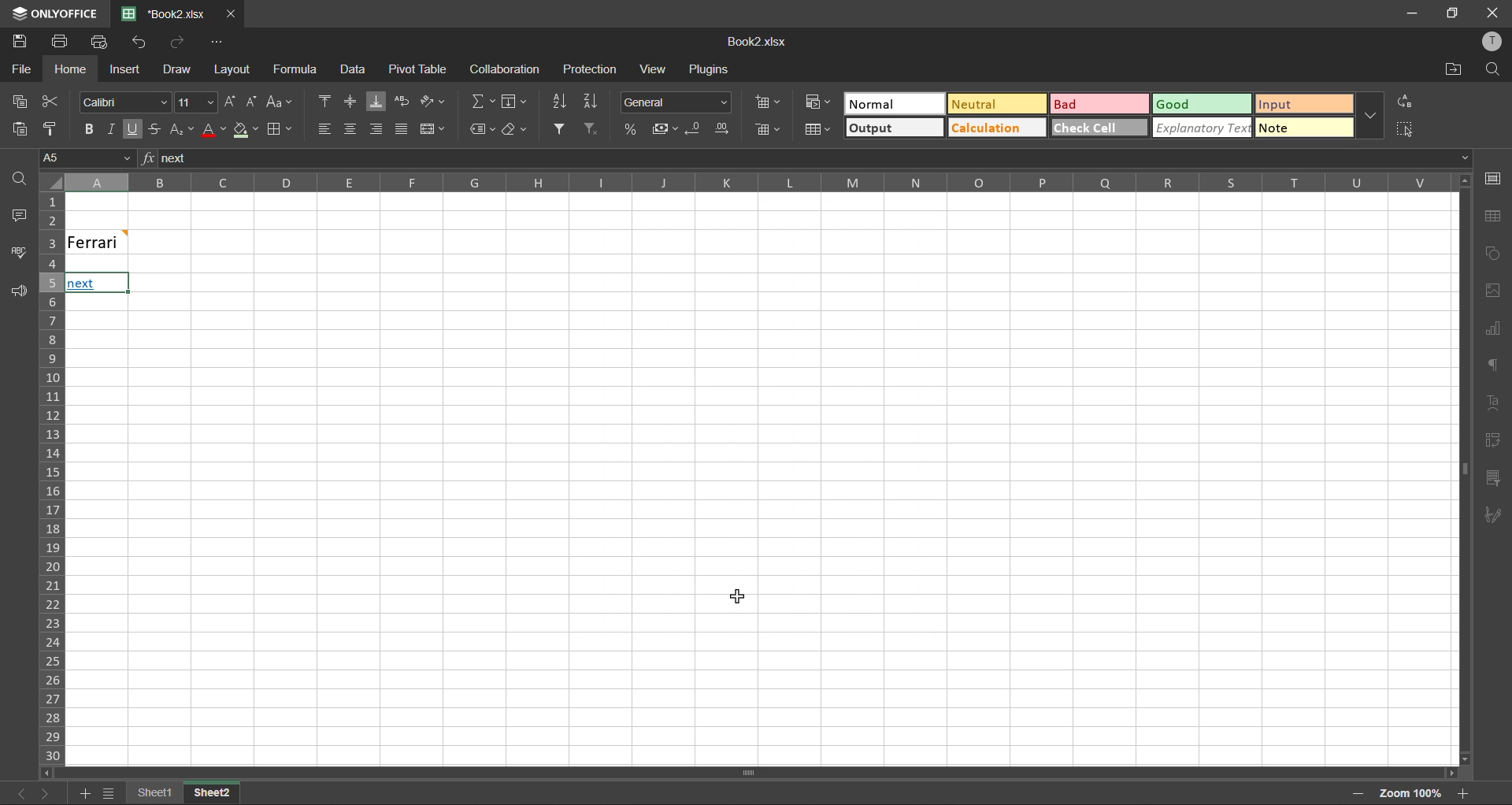  I want to click on profile, so click(1490, 41).